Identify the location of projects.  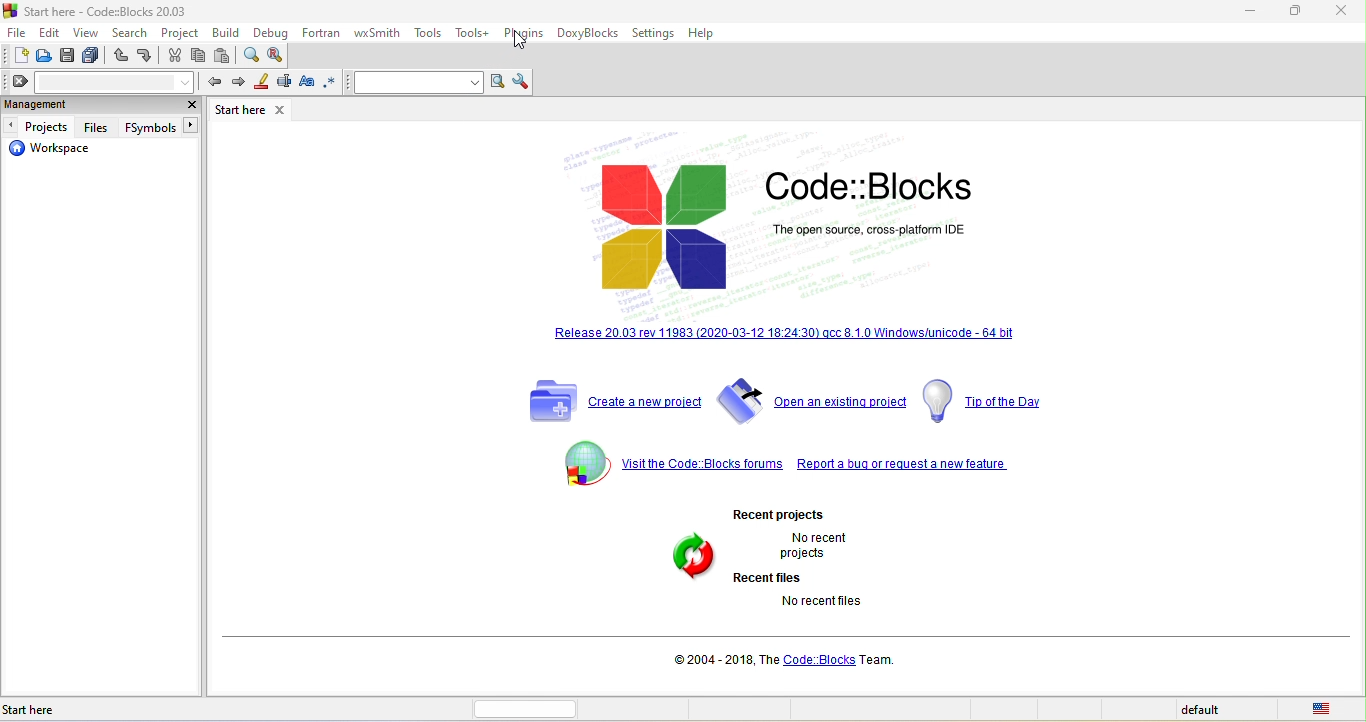
(41, 125).